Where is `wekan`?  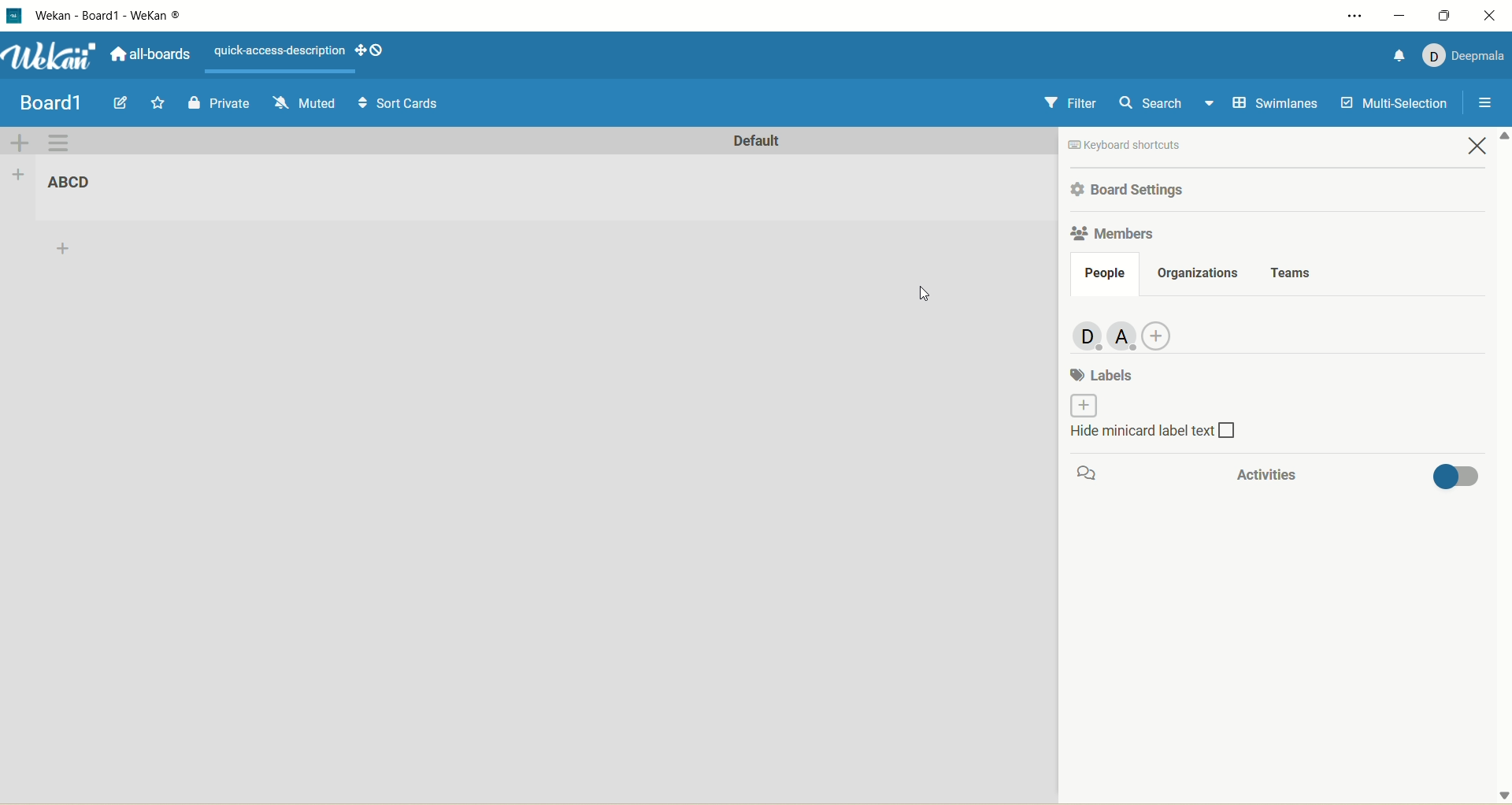 wekan is located at coordinates (52, 55).